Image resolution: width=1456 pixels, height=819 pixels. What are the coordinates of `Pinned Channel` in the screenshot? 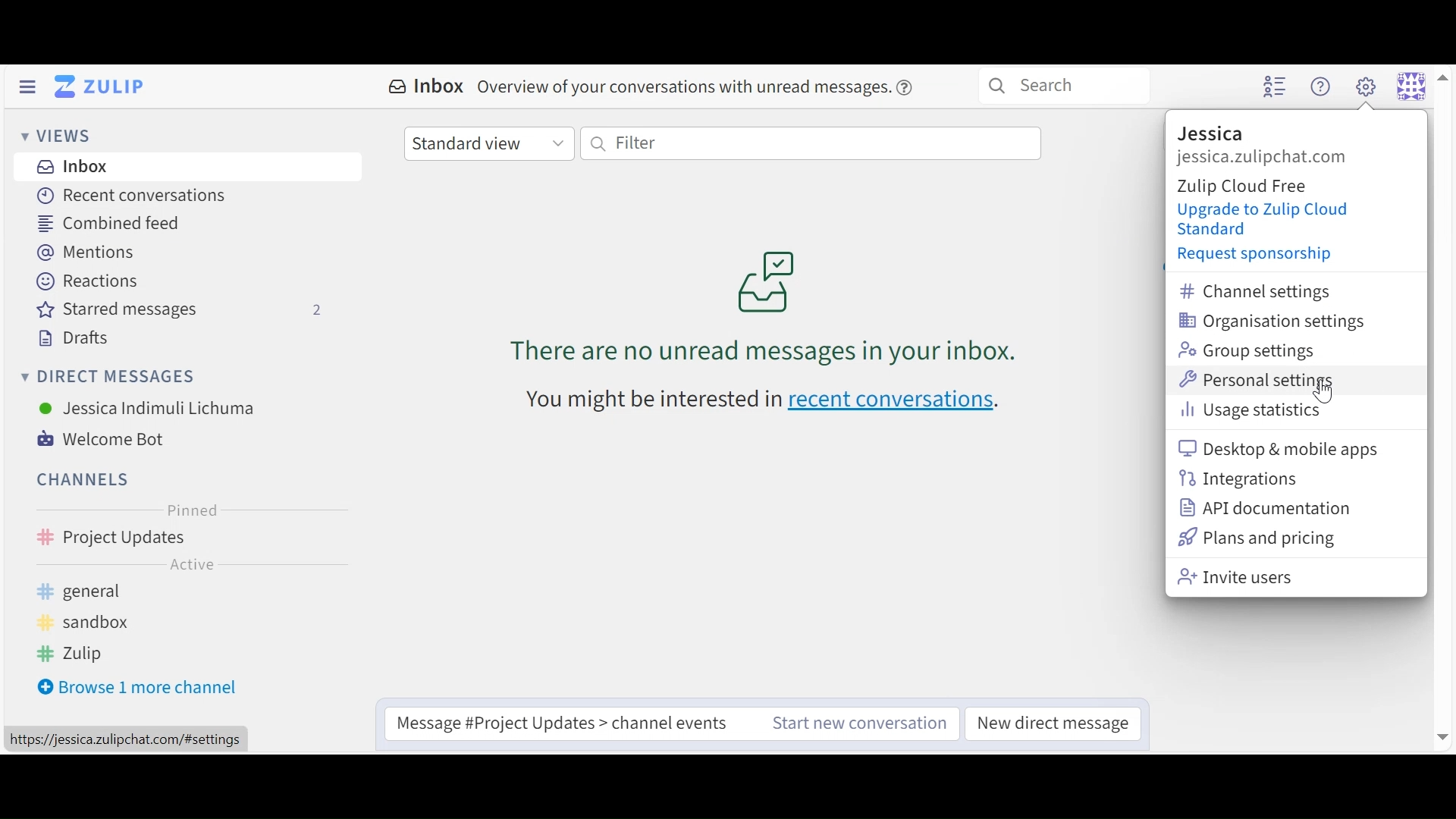 It's located at (187, 510).